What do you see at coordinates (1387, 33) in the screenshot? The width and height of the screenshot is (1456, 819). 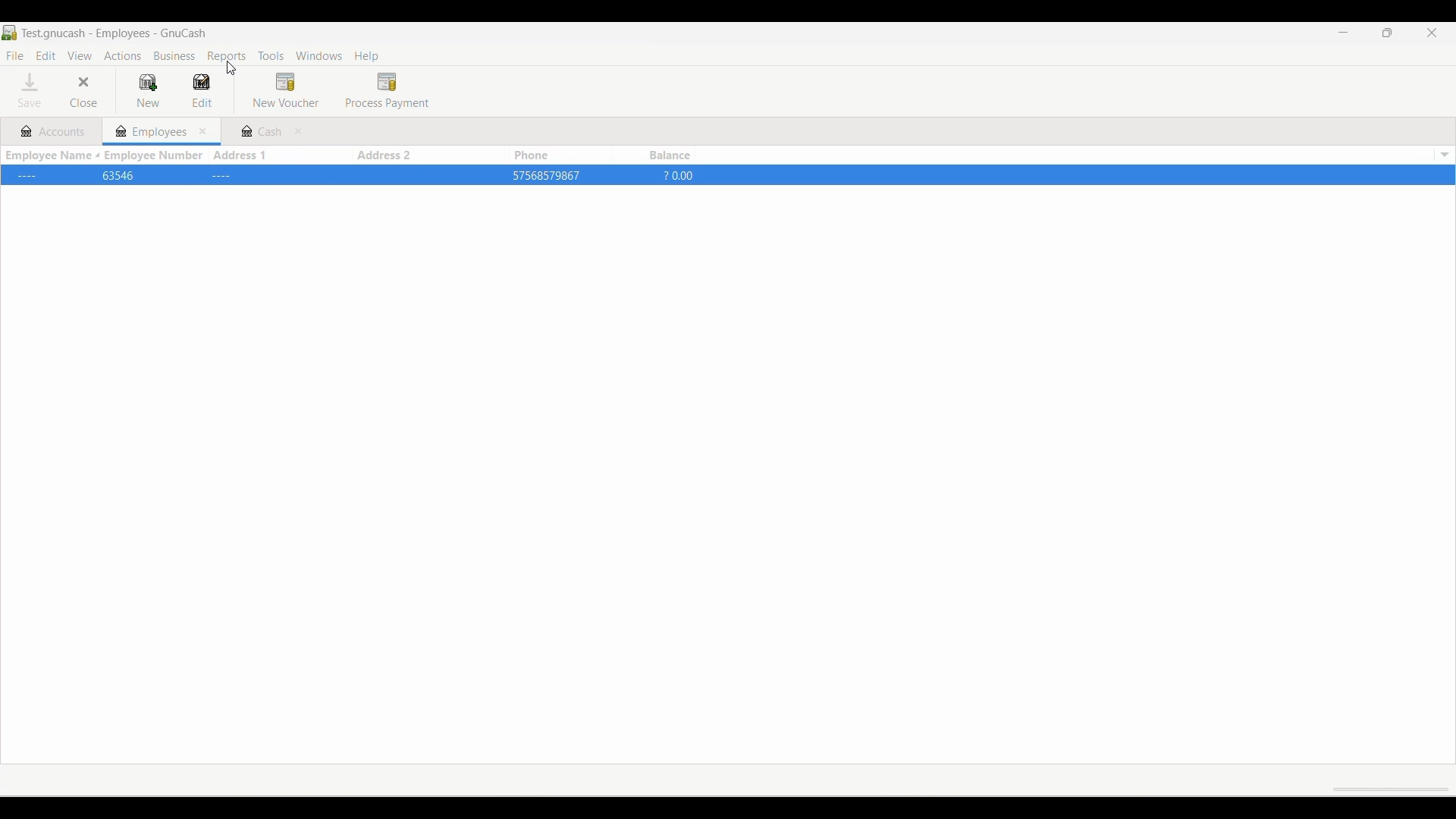 I see `Show interface in a smaller tab` at bounding box center [1387, 33].